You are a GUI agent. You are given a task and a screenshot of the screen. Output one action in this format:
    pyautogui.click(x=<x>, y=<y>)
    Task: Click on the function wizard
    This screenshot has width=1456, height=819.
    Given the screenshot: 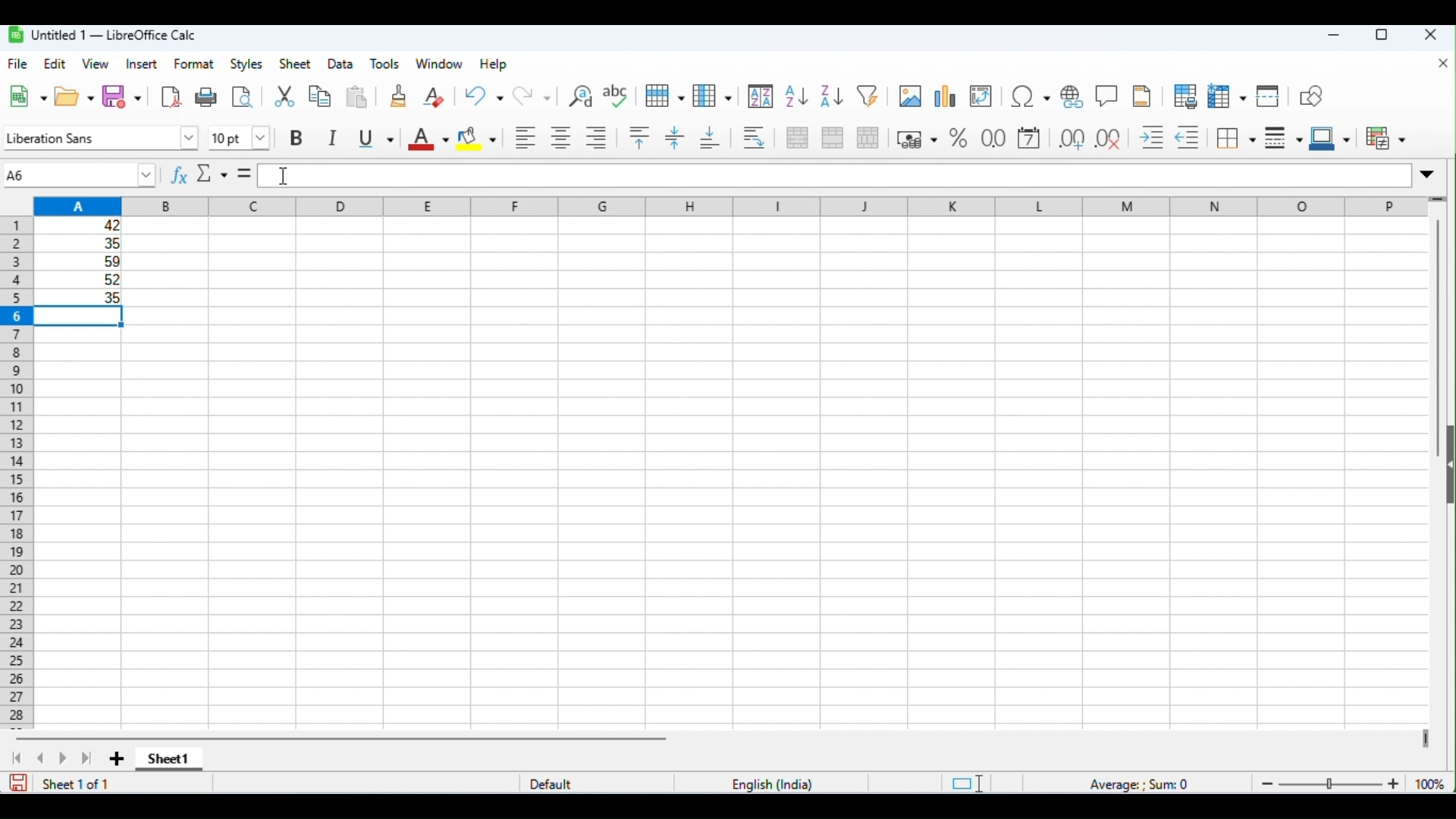 What is the action you would take?
    pyautogui.click(x=181, y=177)
    